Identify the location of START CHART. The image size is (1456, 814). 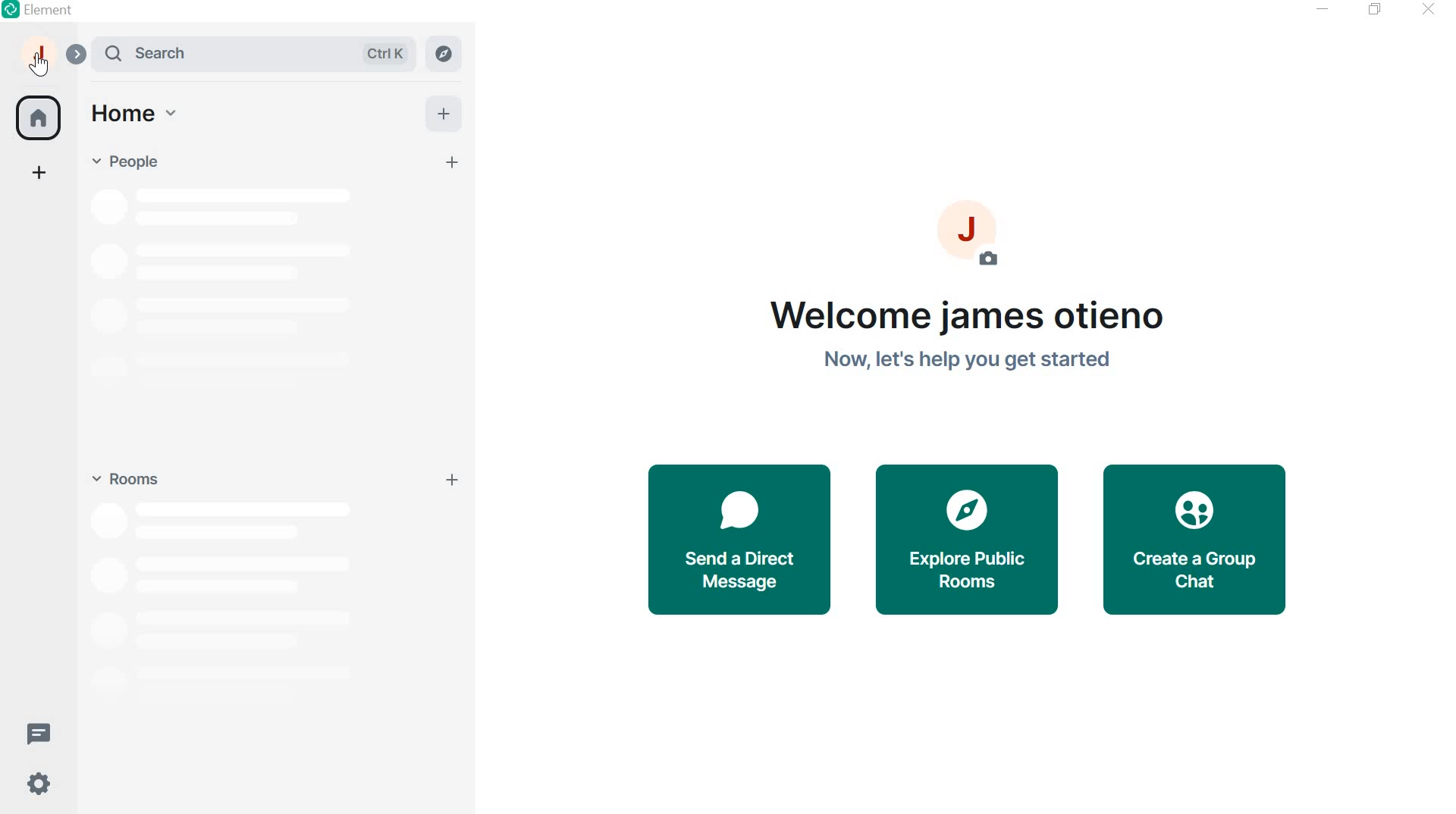
(453, 164).